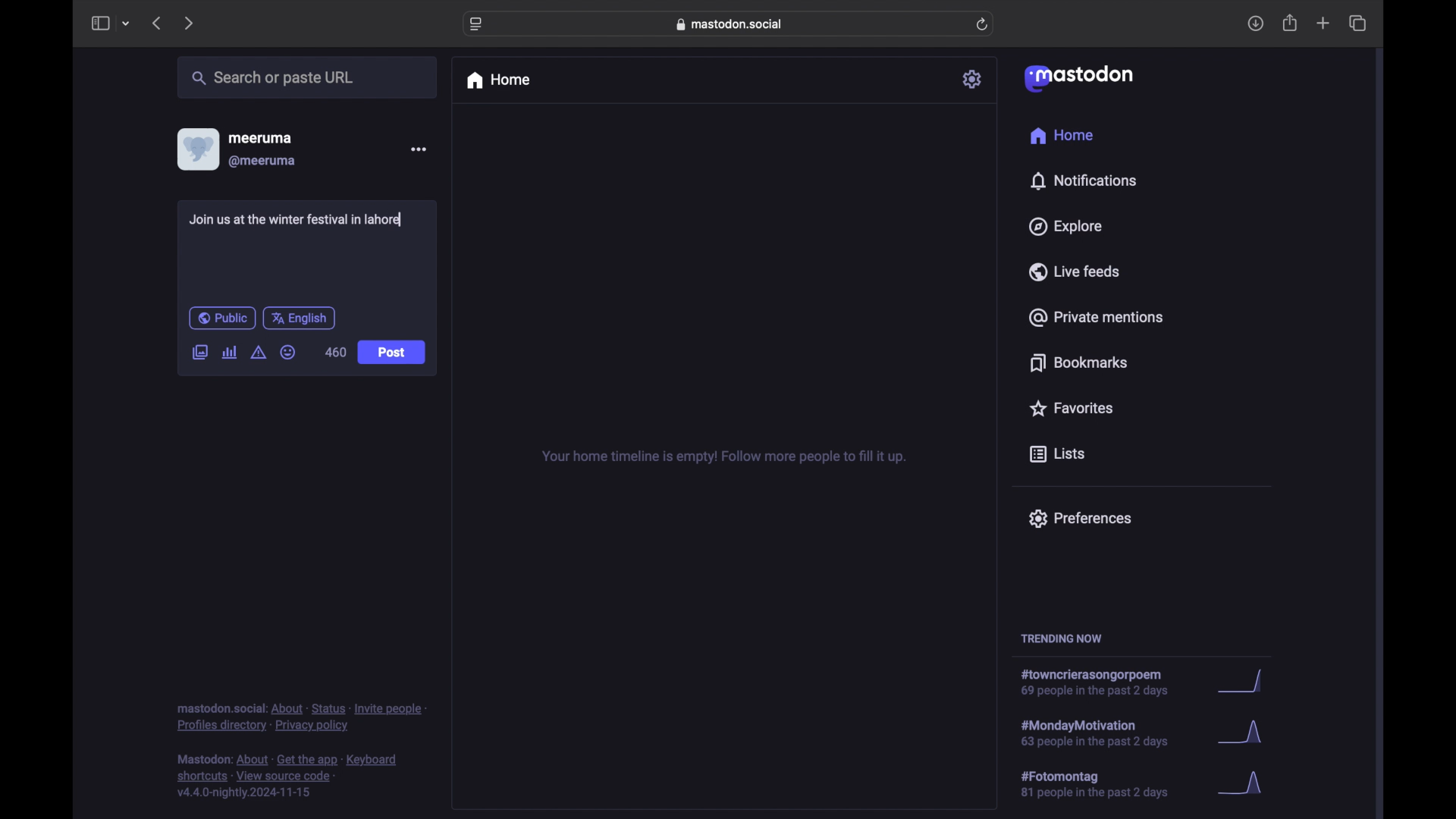 Image resolution: width=1456 pixels, height=819 pixels. What do you see at coordinates (984, 25) in the screenshot?
I see `refresh` at bounding box center [984, 25].